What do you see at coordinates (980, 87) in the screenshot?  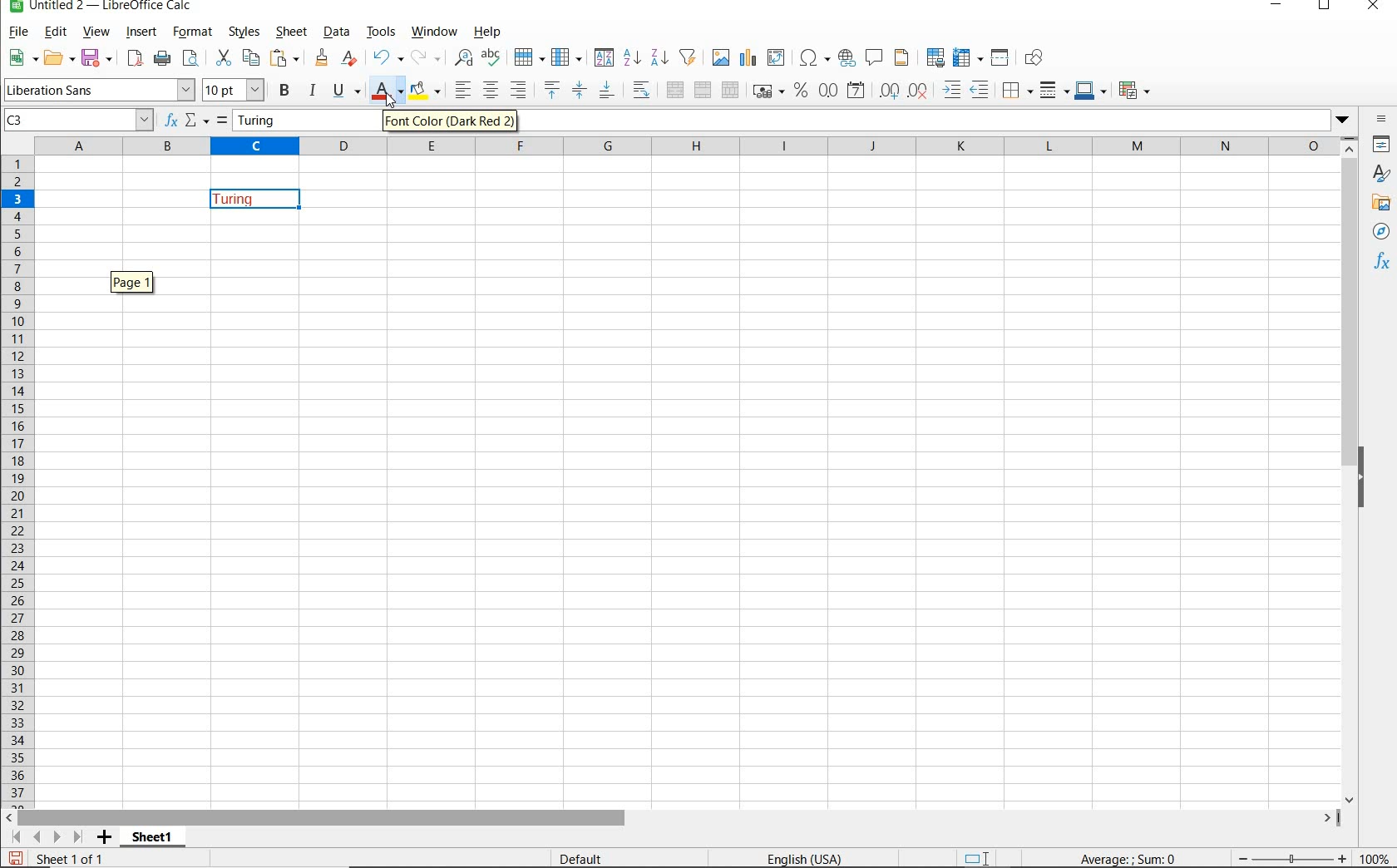 I see `DECREASE INDENT` at bounding box center [980, 87].